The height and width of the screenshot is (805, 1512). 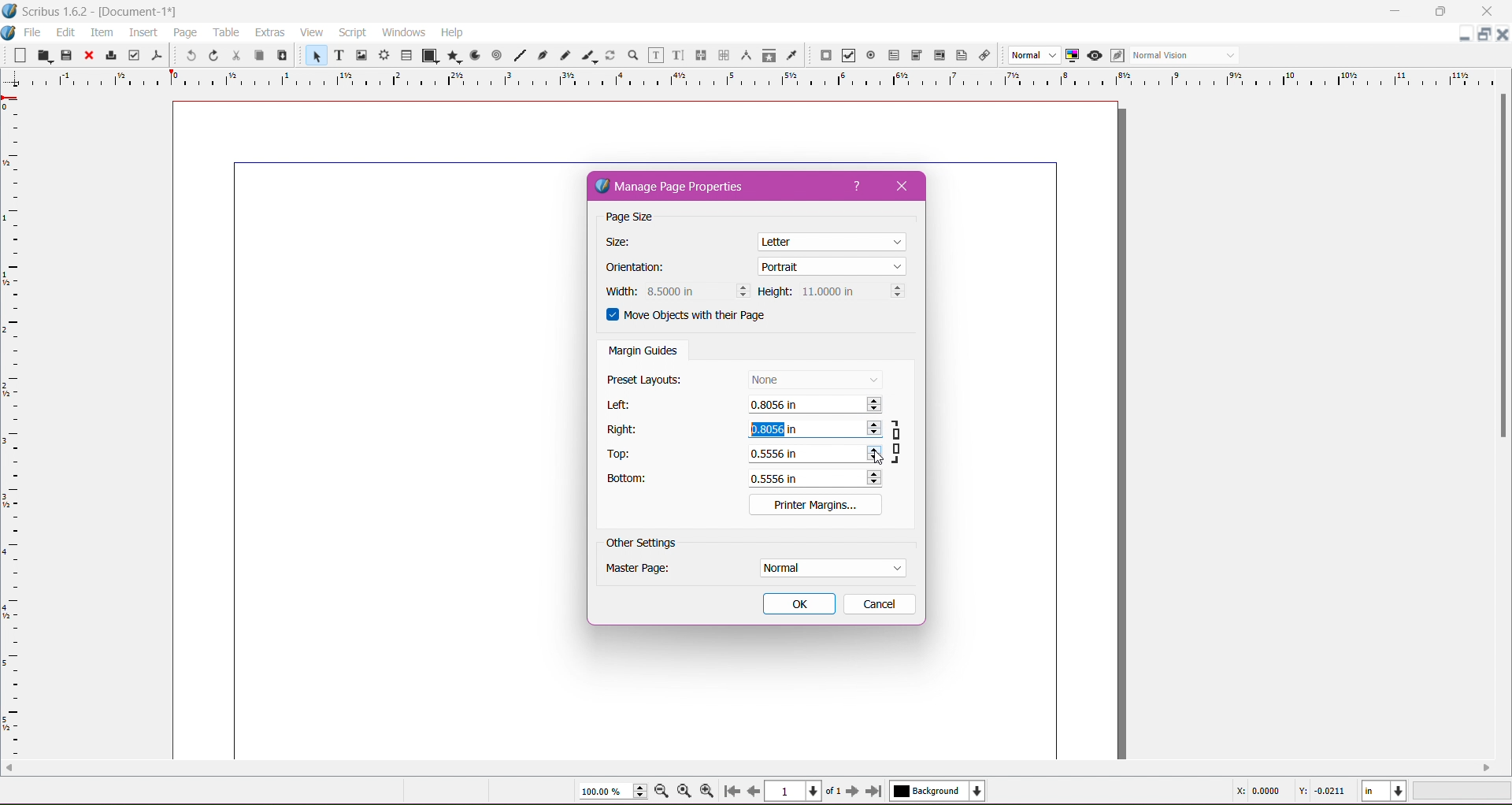 What do you see at coordinates (625, 243) in the screenshot?
I see `Size` at bounding box center [625, 243].